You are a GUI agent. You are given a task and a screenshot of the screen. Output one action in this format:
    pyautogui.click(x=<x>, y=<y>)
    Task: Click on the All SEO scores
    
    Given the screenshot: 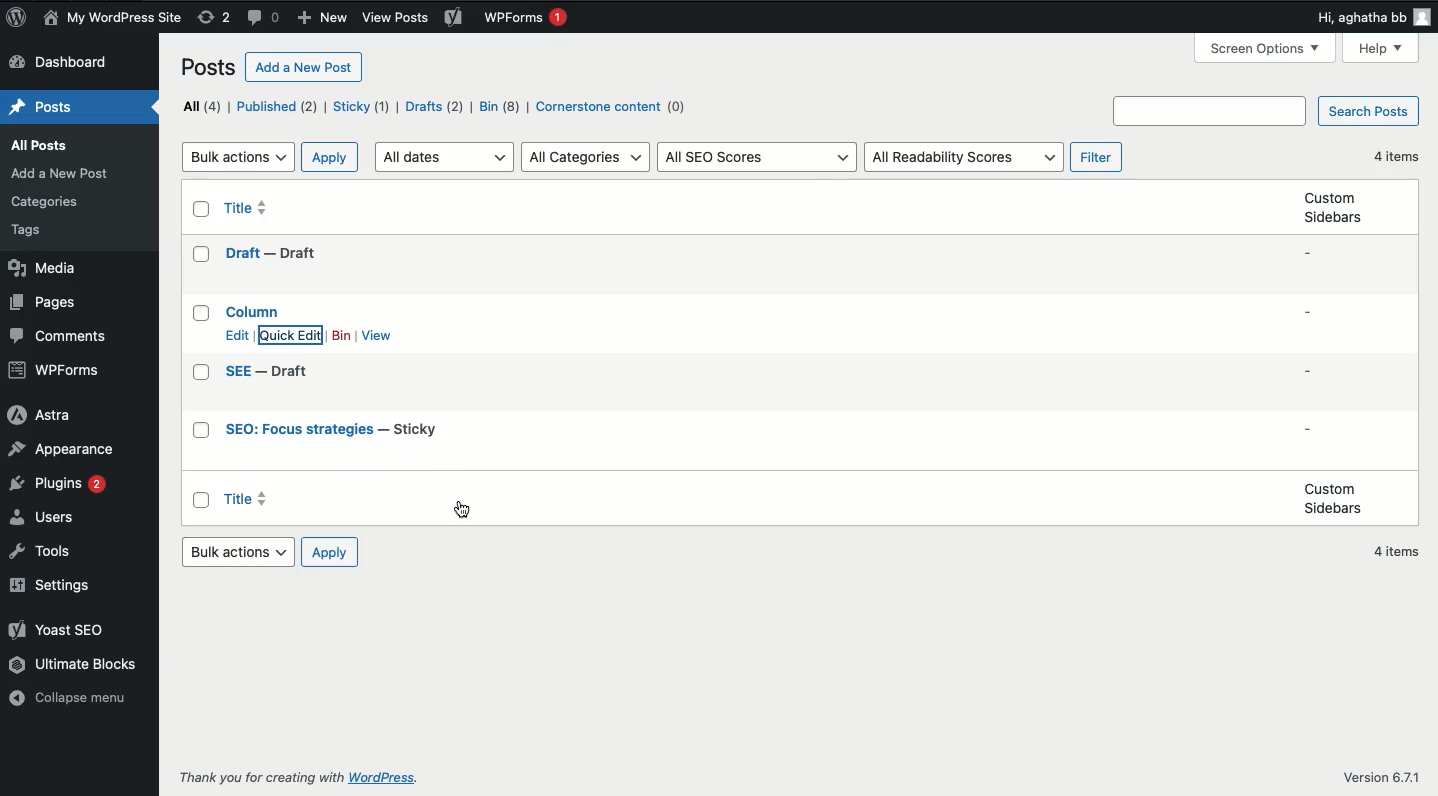 What is the action you would take?
    pyautogui.click(x=760, y=158)
    